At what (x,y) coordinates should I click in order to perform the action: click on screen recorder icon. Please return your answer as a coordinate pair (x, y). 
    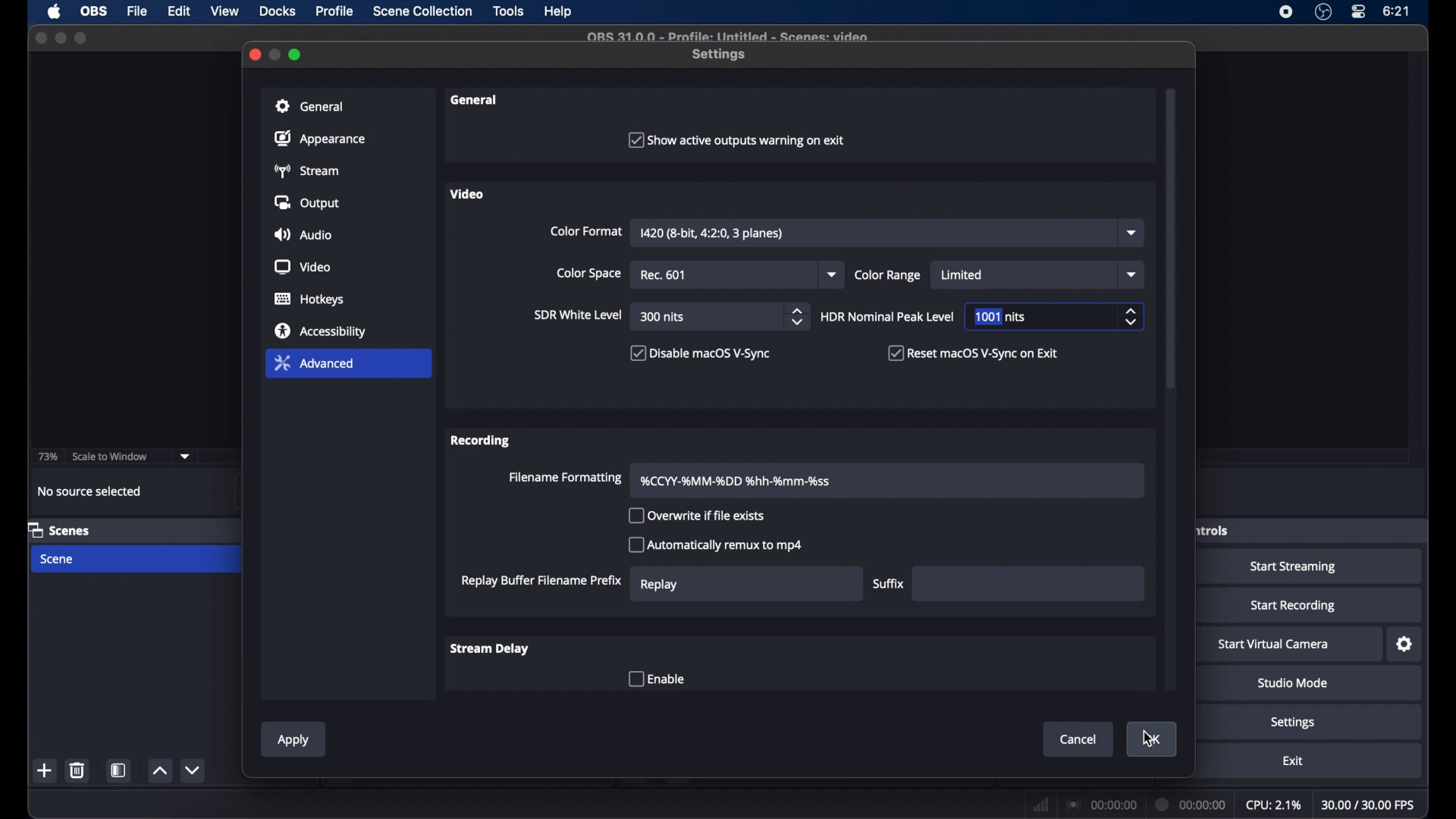
    Looking at the image, I should click on (1286, 11).